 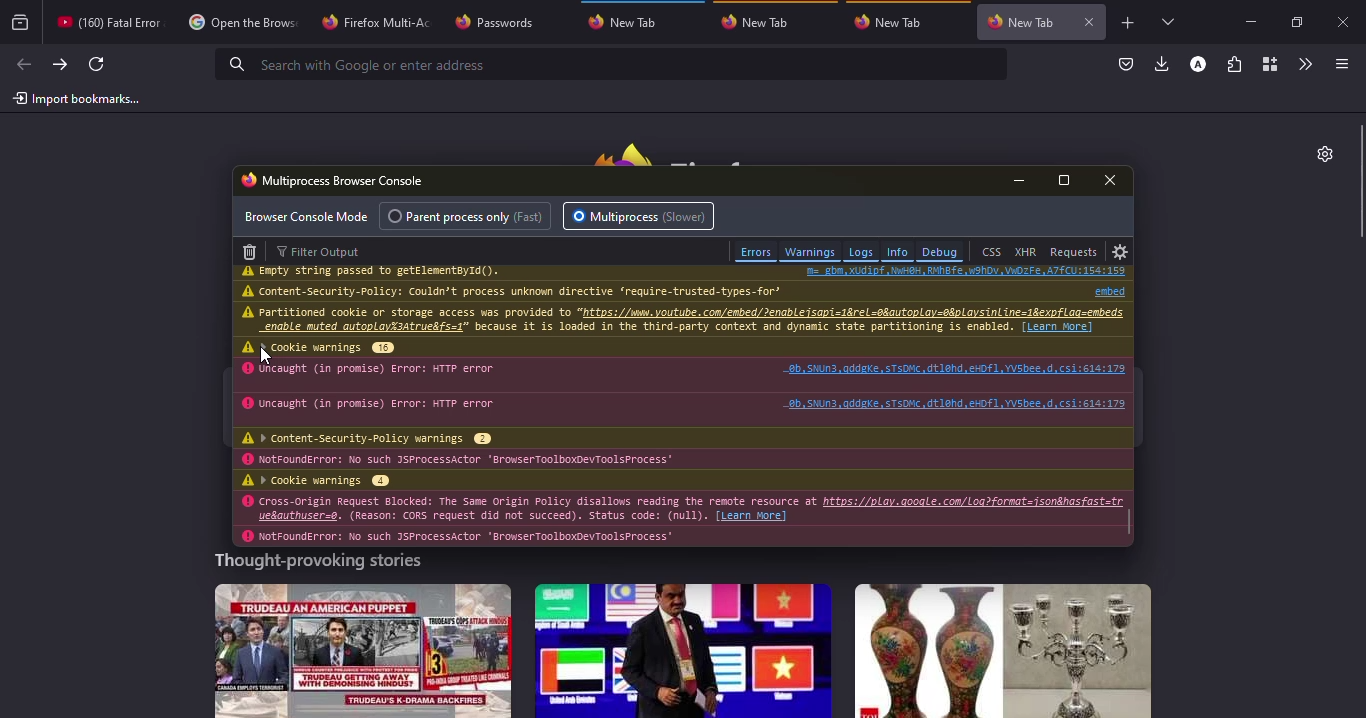 I want to click on m=, so click(x=966, y=271).